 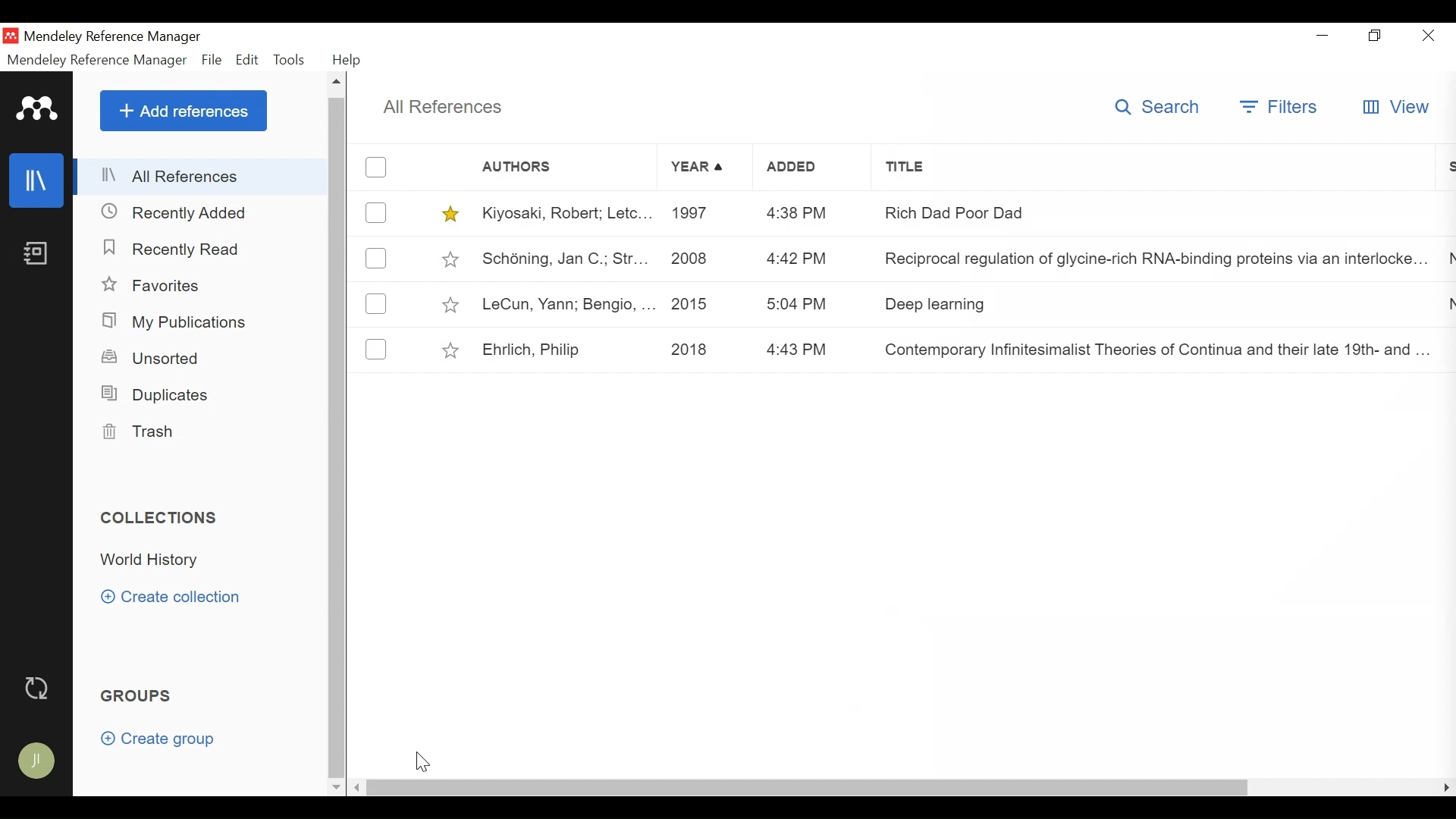 What do you see at coordinates (292, 60) in the screenshot?
I see `Tools` at bounding box center [292, 60].